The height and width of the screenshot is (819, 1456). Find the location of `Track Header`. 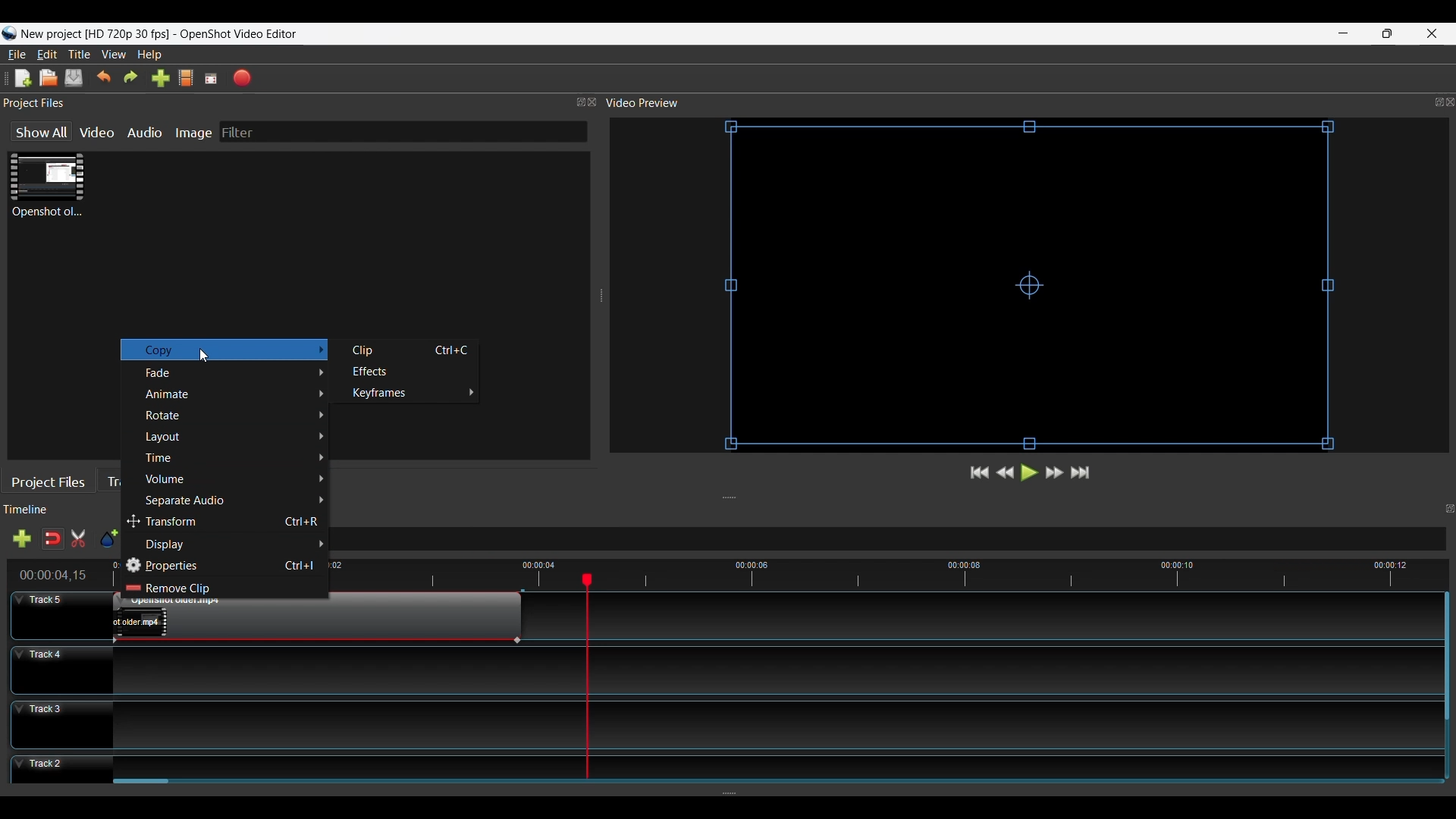

Track Header is located at coordinates (61, 614).